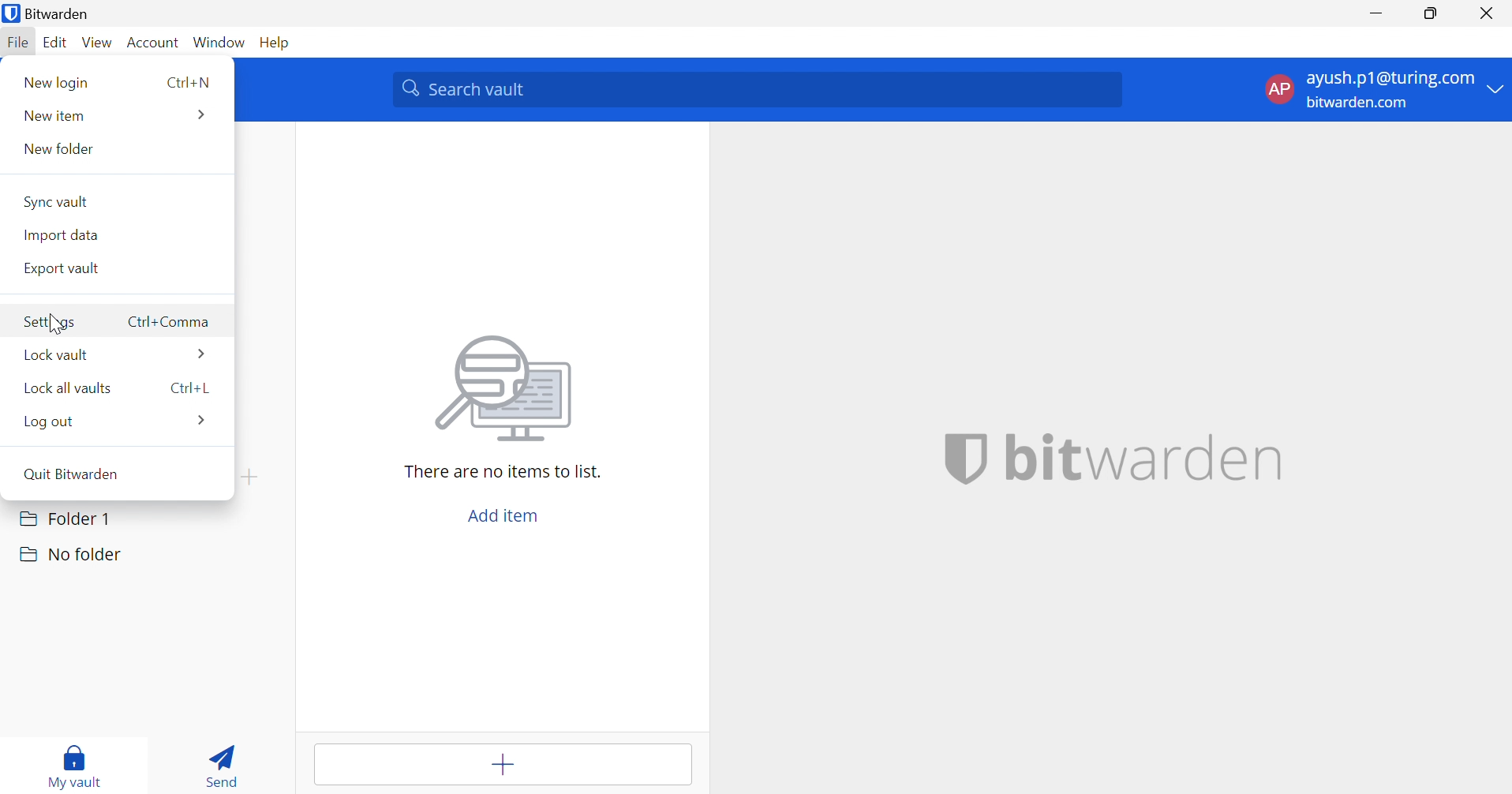 Image resolution: width=1512 pixels, height=794 pixels. What do you see at coordinates (188, 390) in the screenshot?
I see `Ctrl+L` at bounding box center [188, 390].